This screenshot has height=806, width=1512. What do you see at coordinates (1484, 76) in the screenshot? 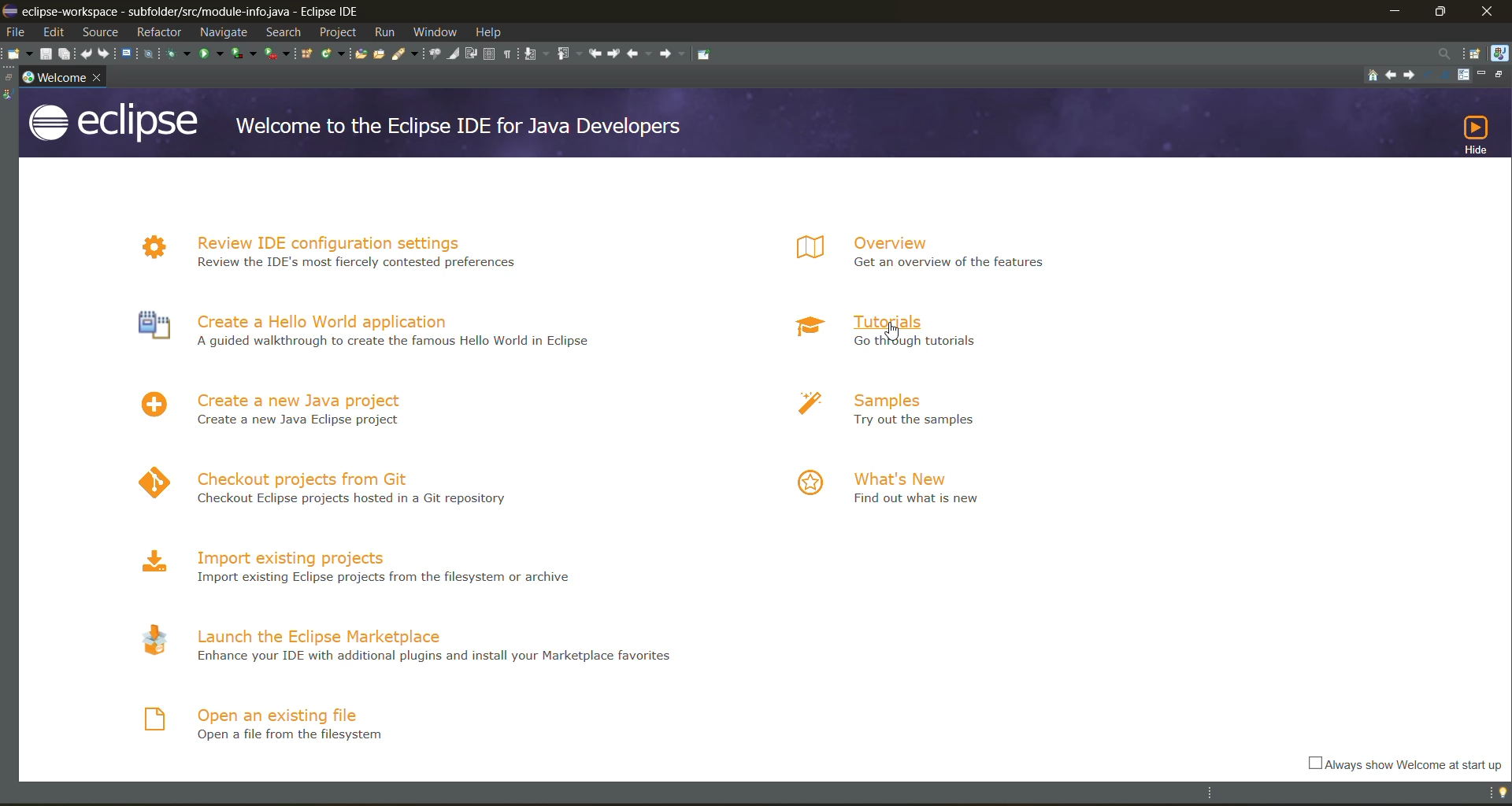
I see `minimize` at bounding box center [1484, 76].